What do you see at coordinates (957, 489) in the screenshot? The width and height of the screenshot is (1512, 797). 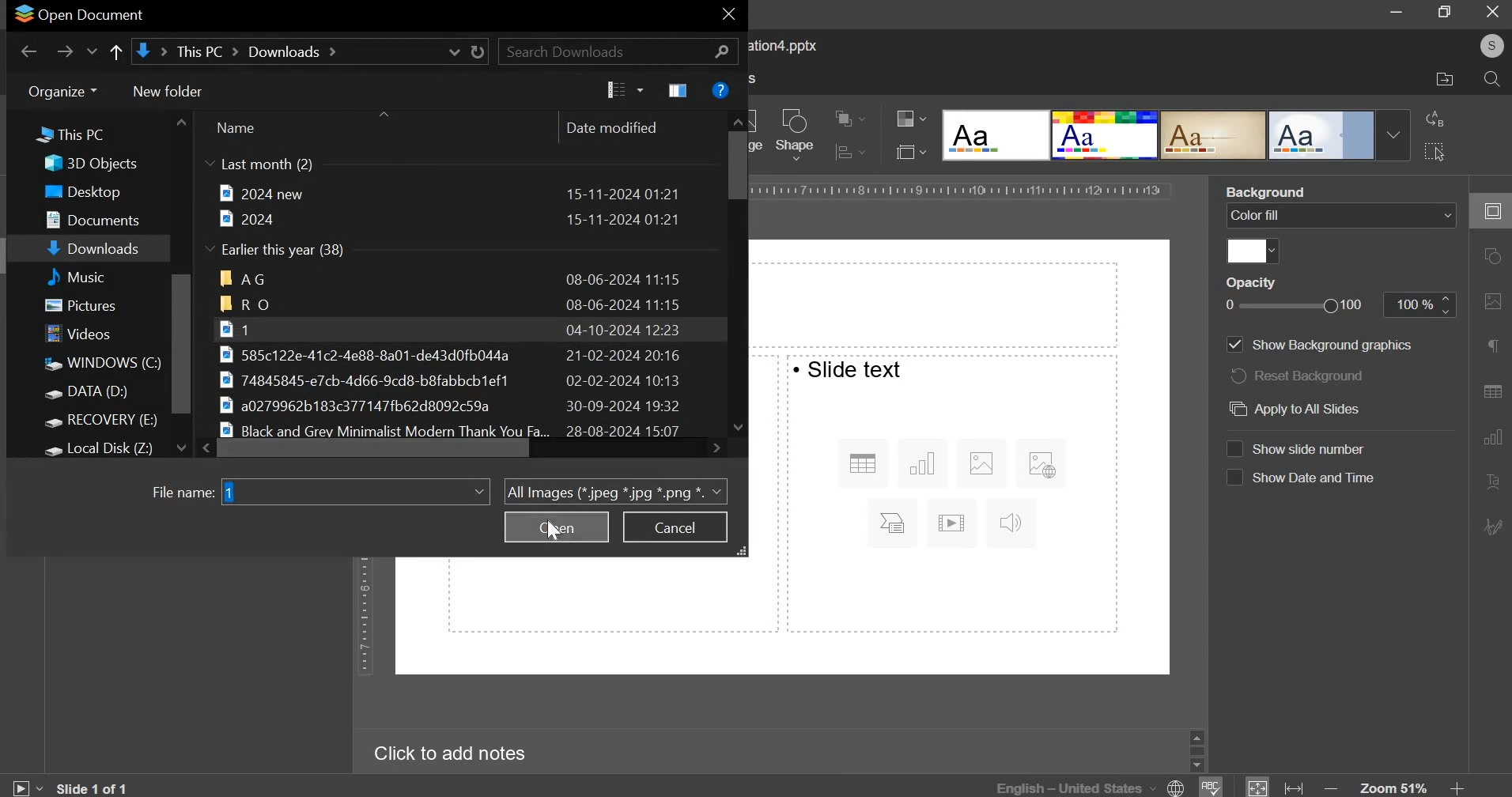 I see `icons` at bounding box center [957, 489].